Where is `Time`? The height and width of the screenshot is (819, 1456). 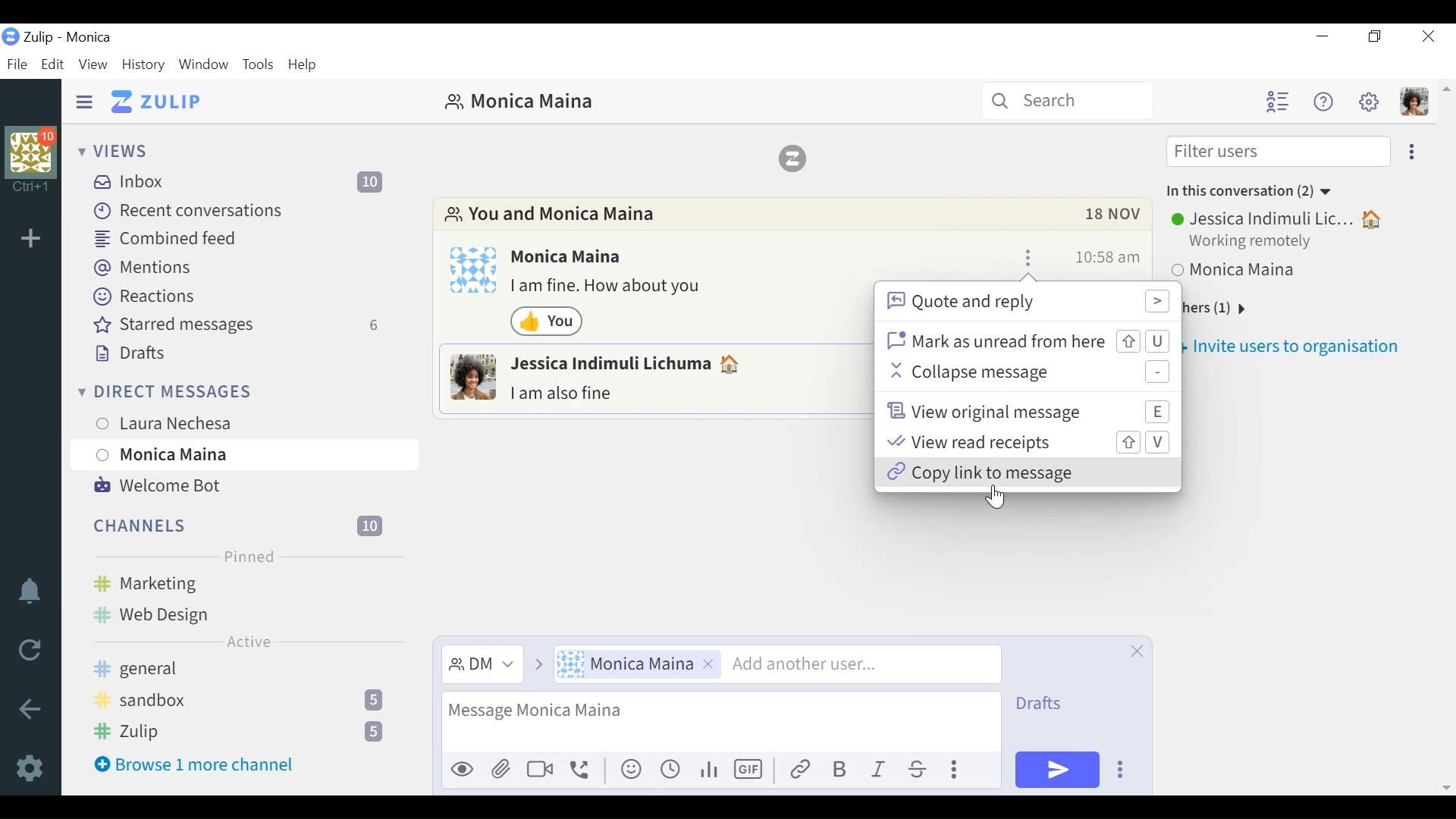
Time is located at coordinates (1106, 257).